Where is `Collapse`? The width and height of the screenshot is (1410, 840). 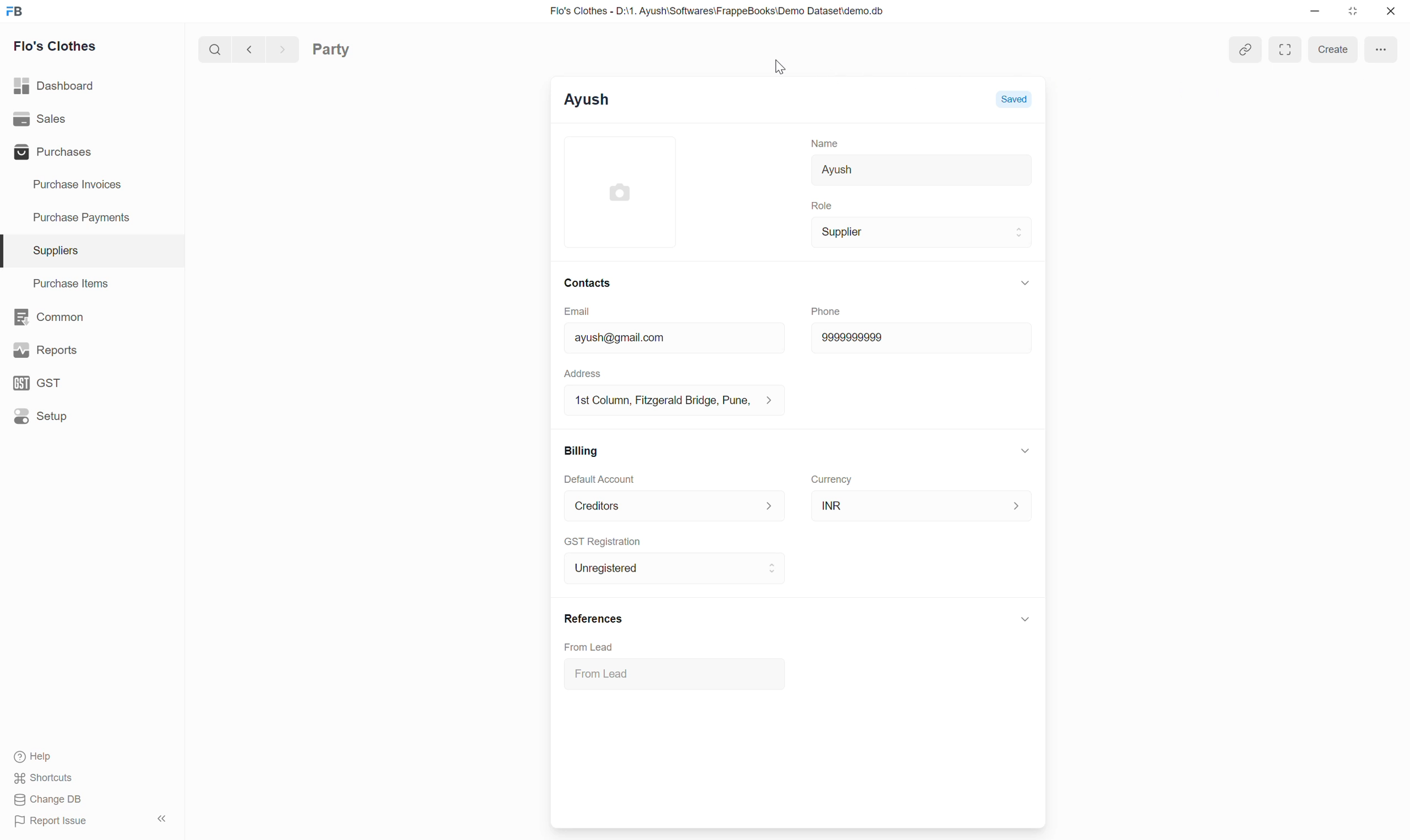
Collapse is located at coordinates (1025, 283).